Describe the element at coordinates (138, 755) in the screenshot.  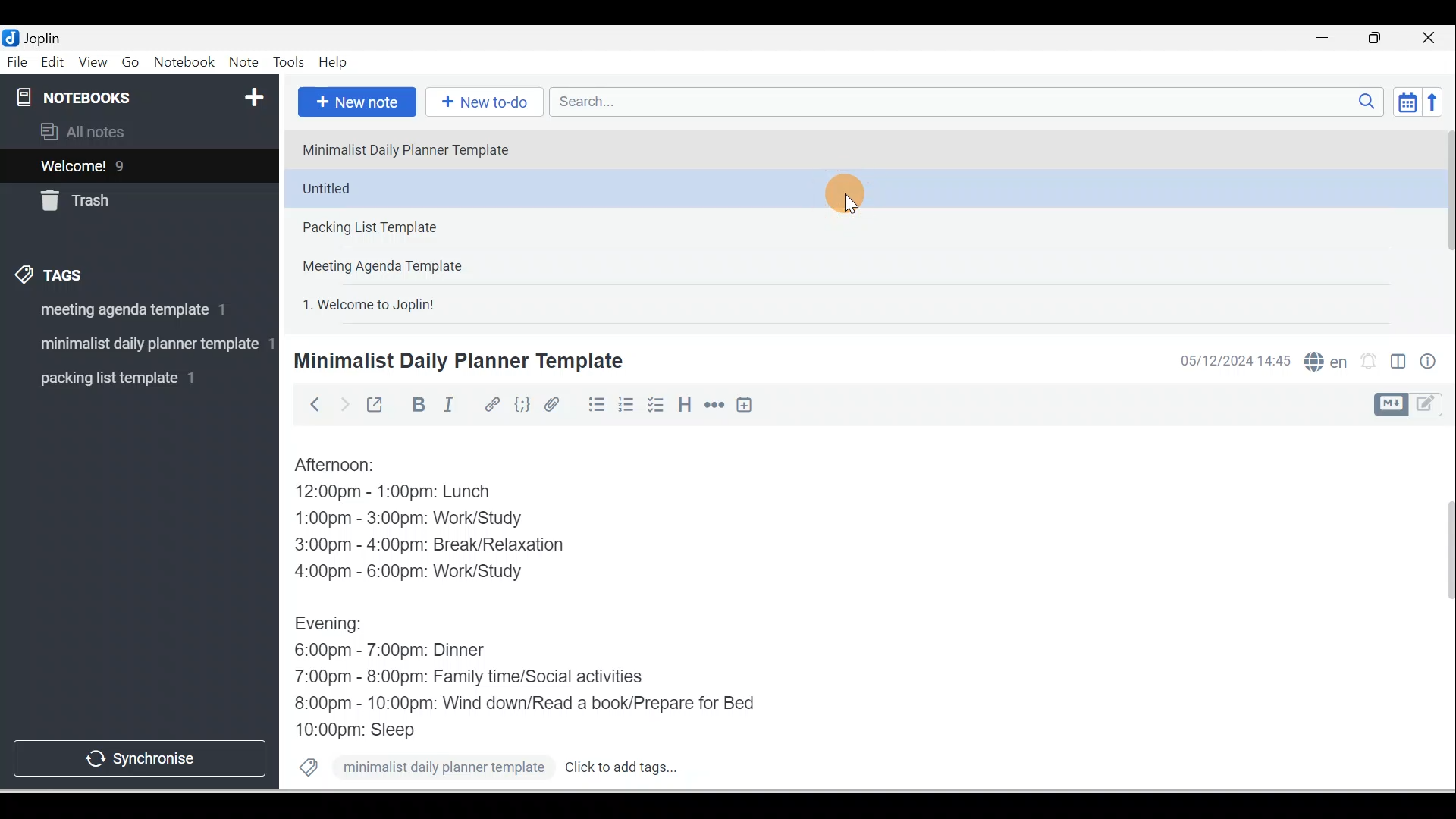
I see `Synchronise` at that location.